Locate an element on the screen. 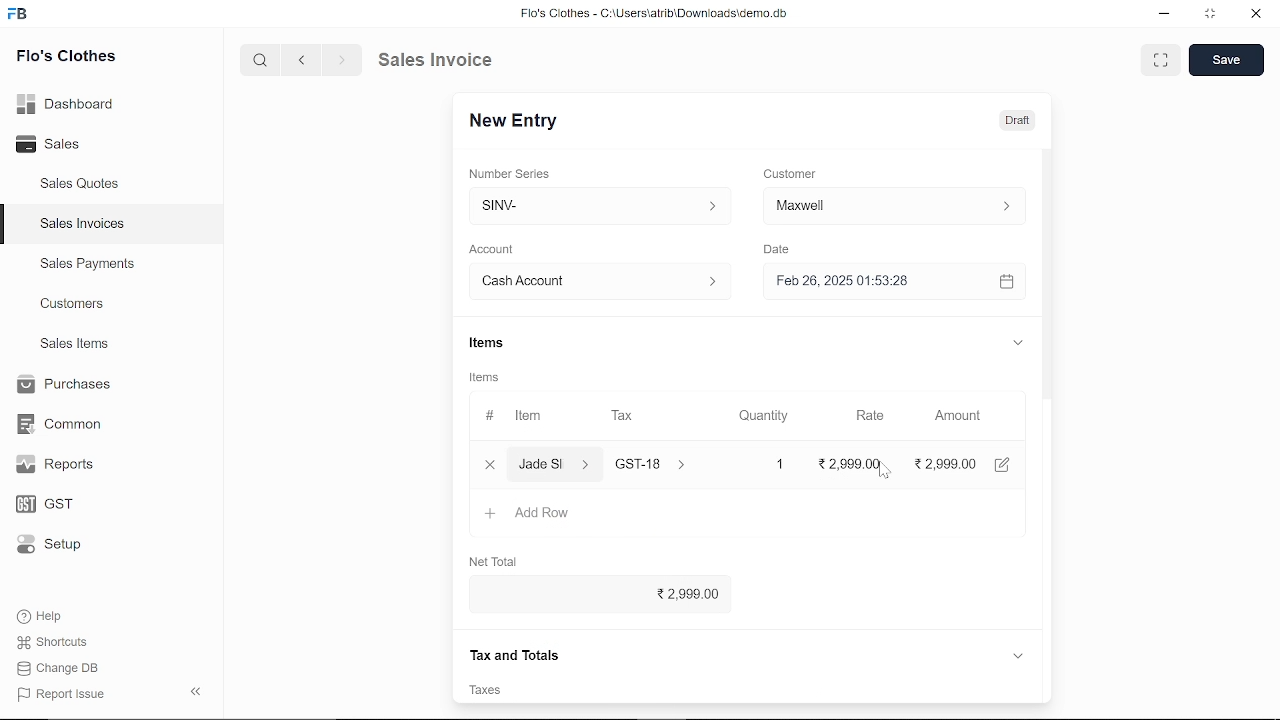  Net Total is located at coordinates (496, 558).